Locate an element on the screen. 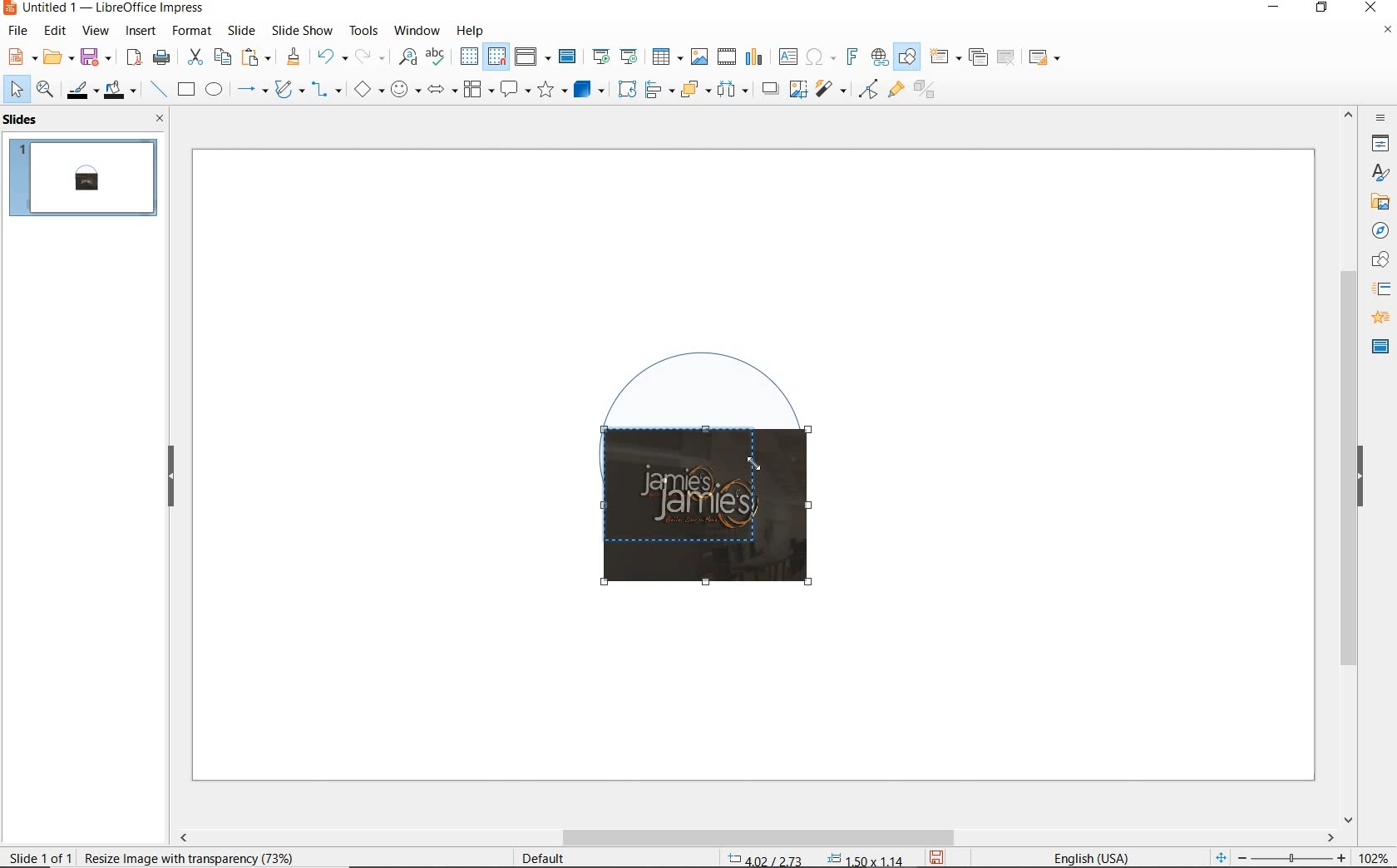  master slide is located at coordinates (570, 57).